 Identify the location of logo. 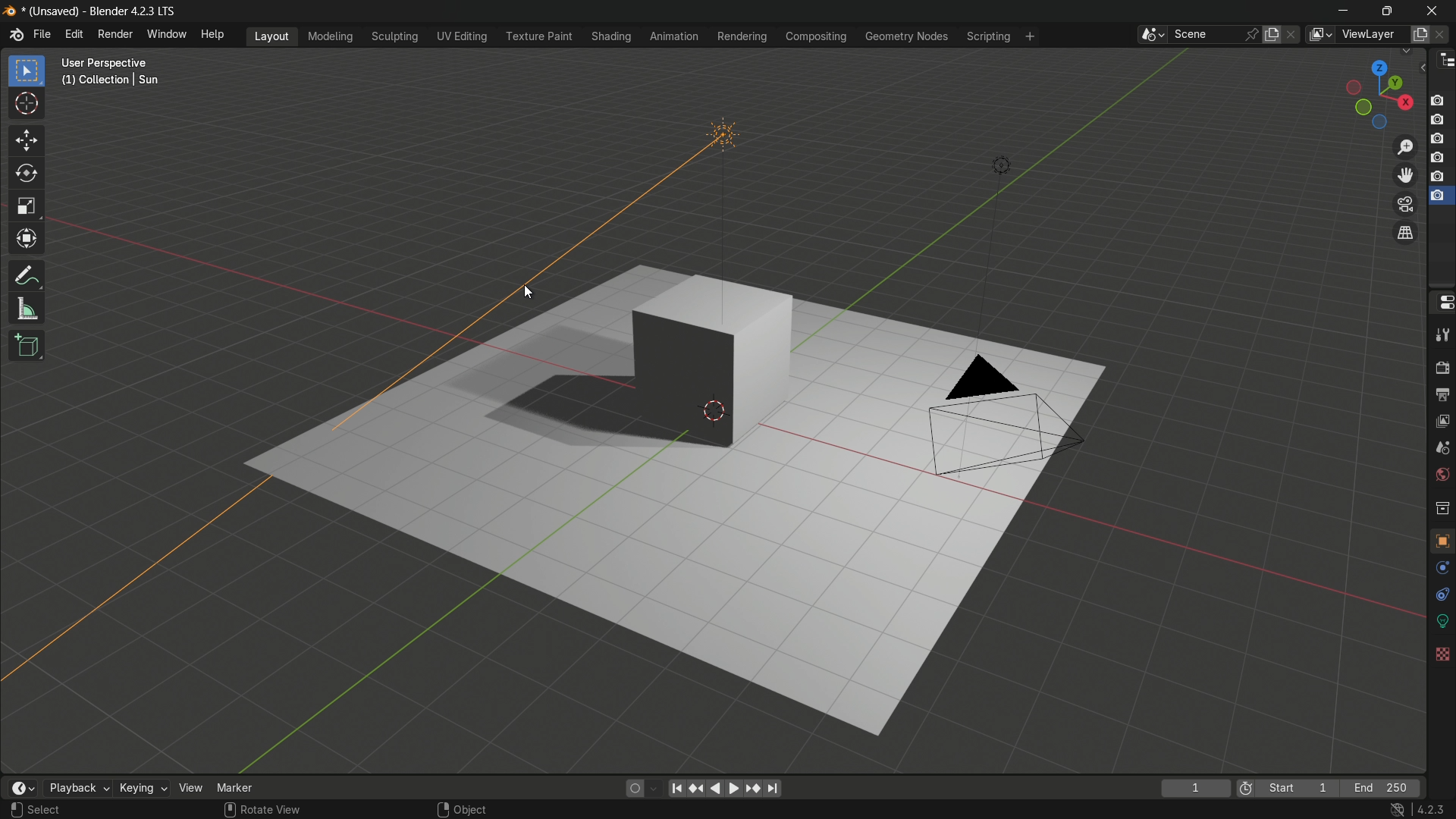
(15, 35).